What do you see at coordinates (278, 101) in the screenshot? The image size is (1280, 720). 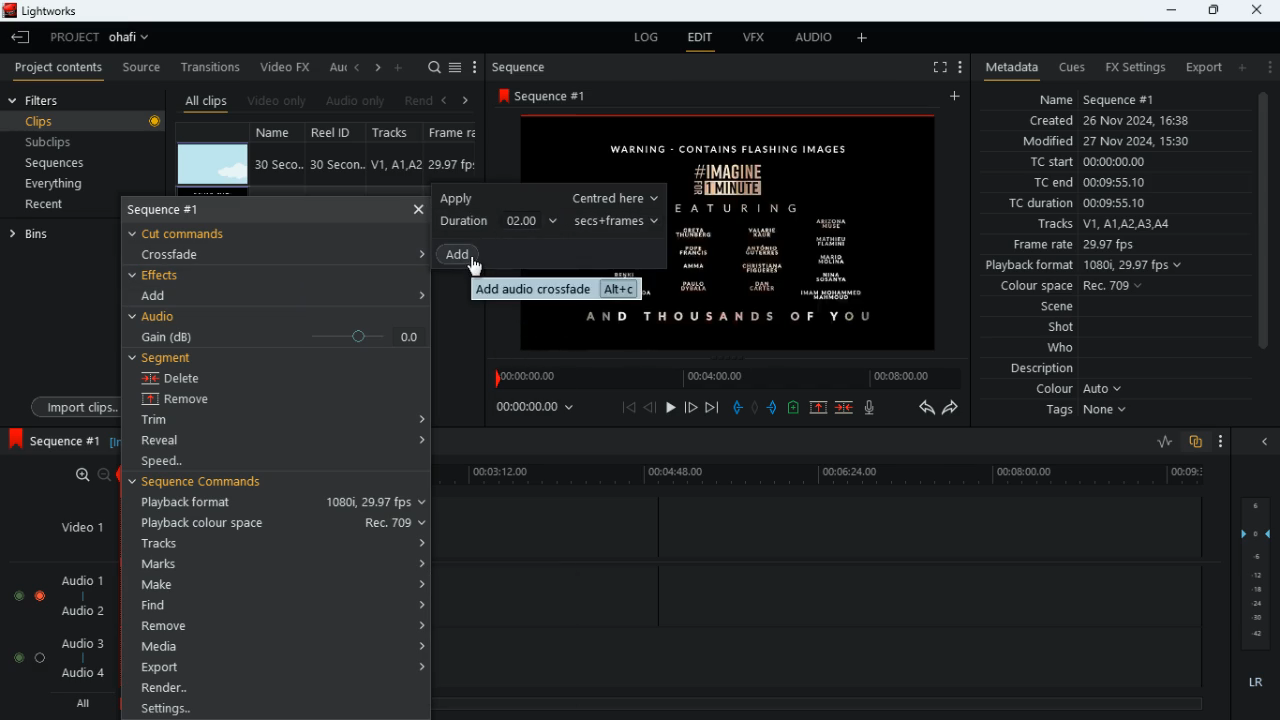 I see `video only` at bounding box center [278, 101].